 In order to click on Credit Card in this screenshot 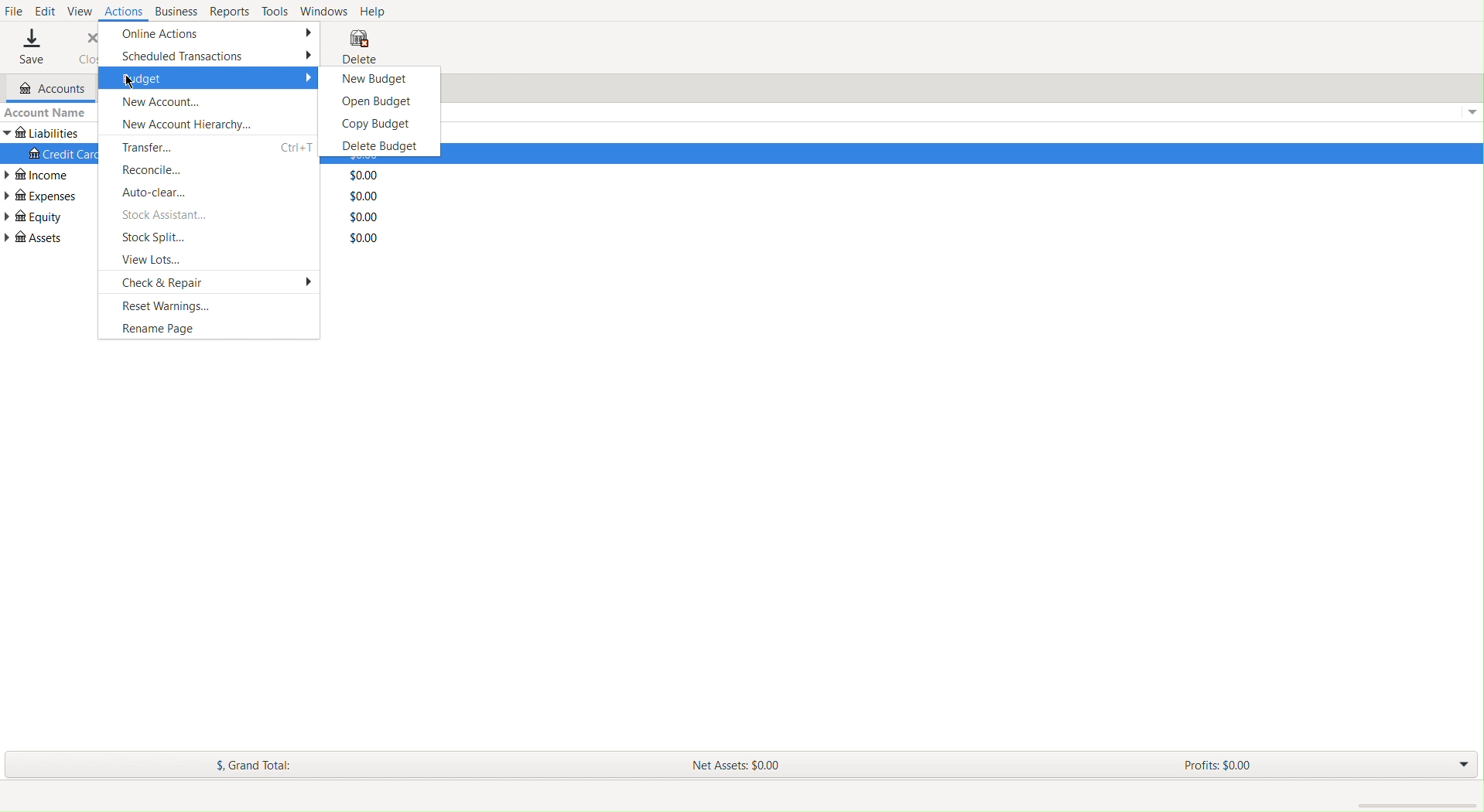, I will do `click(59, 155)`.